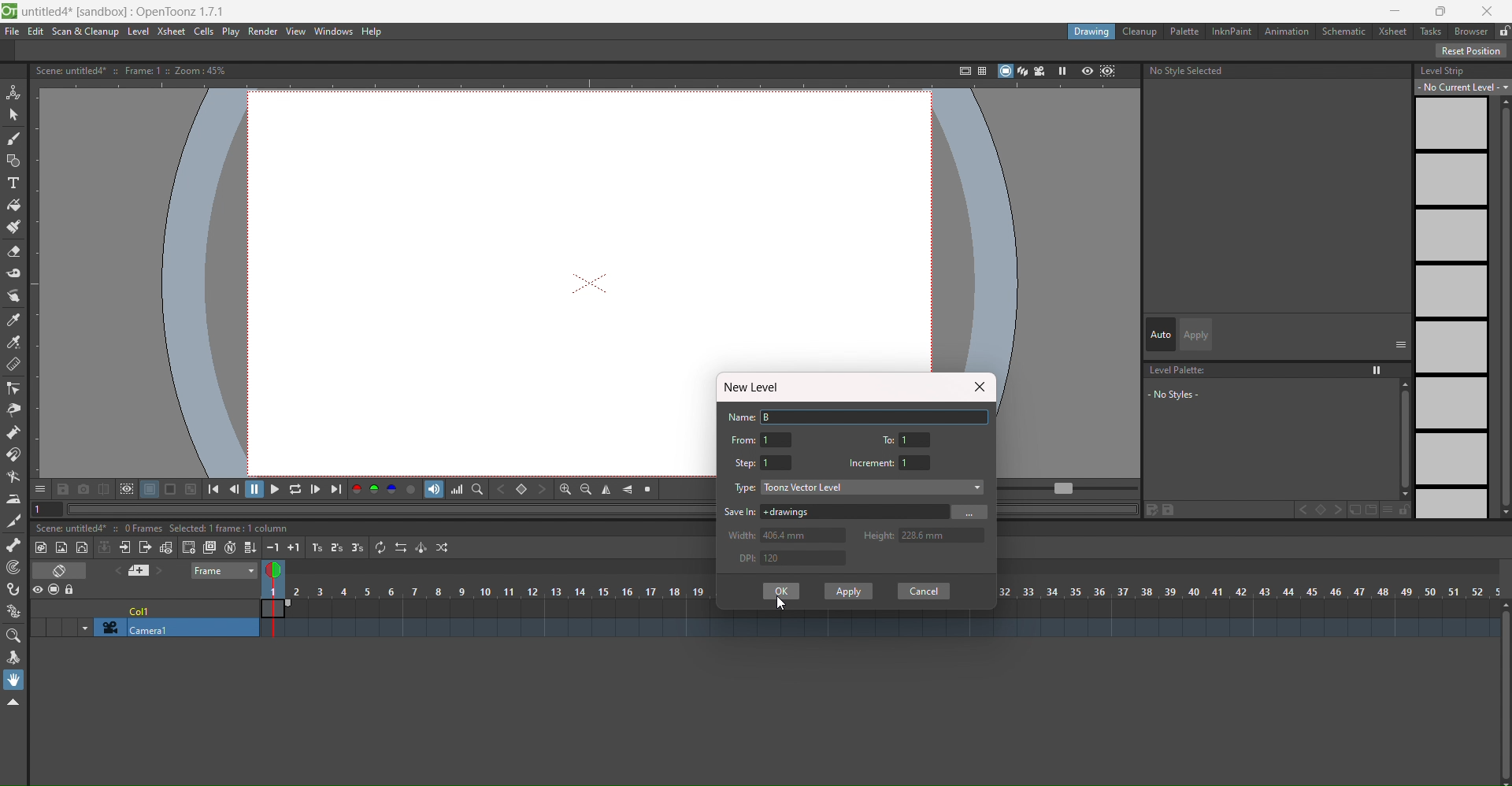  What do you see at coordinates (64, 488) in the screenshot?
I see `tool` at bounding box center [64, 488].